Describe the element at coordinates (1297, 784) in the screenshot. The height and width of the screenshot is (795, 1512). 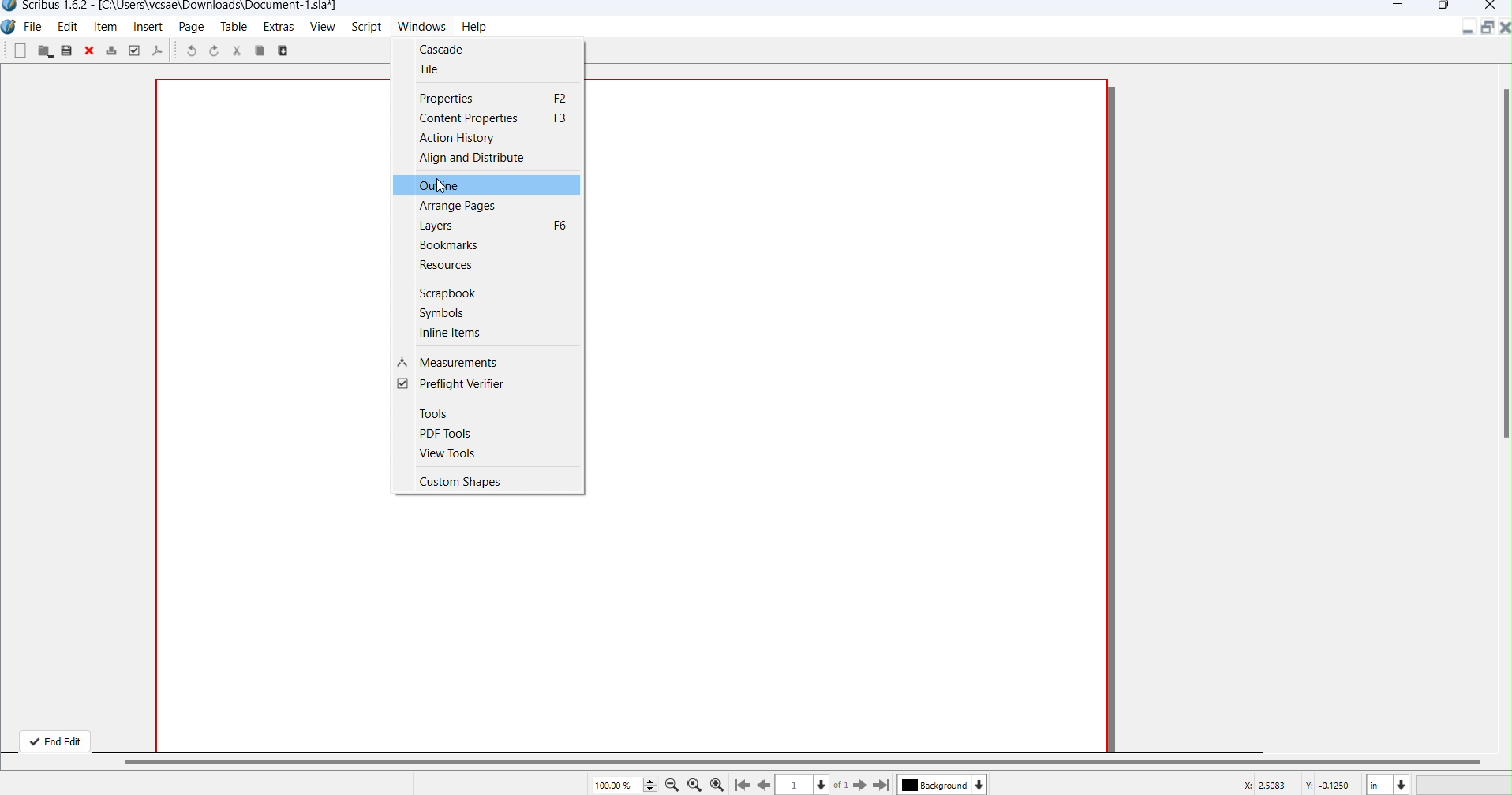
I see `X: 25083  Y: -01250` at that location.